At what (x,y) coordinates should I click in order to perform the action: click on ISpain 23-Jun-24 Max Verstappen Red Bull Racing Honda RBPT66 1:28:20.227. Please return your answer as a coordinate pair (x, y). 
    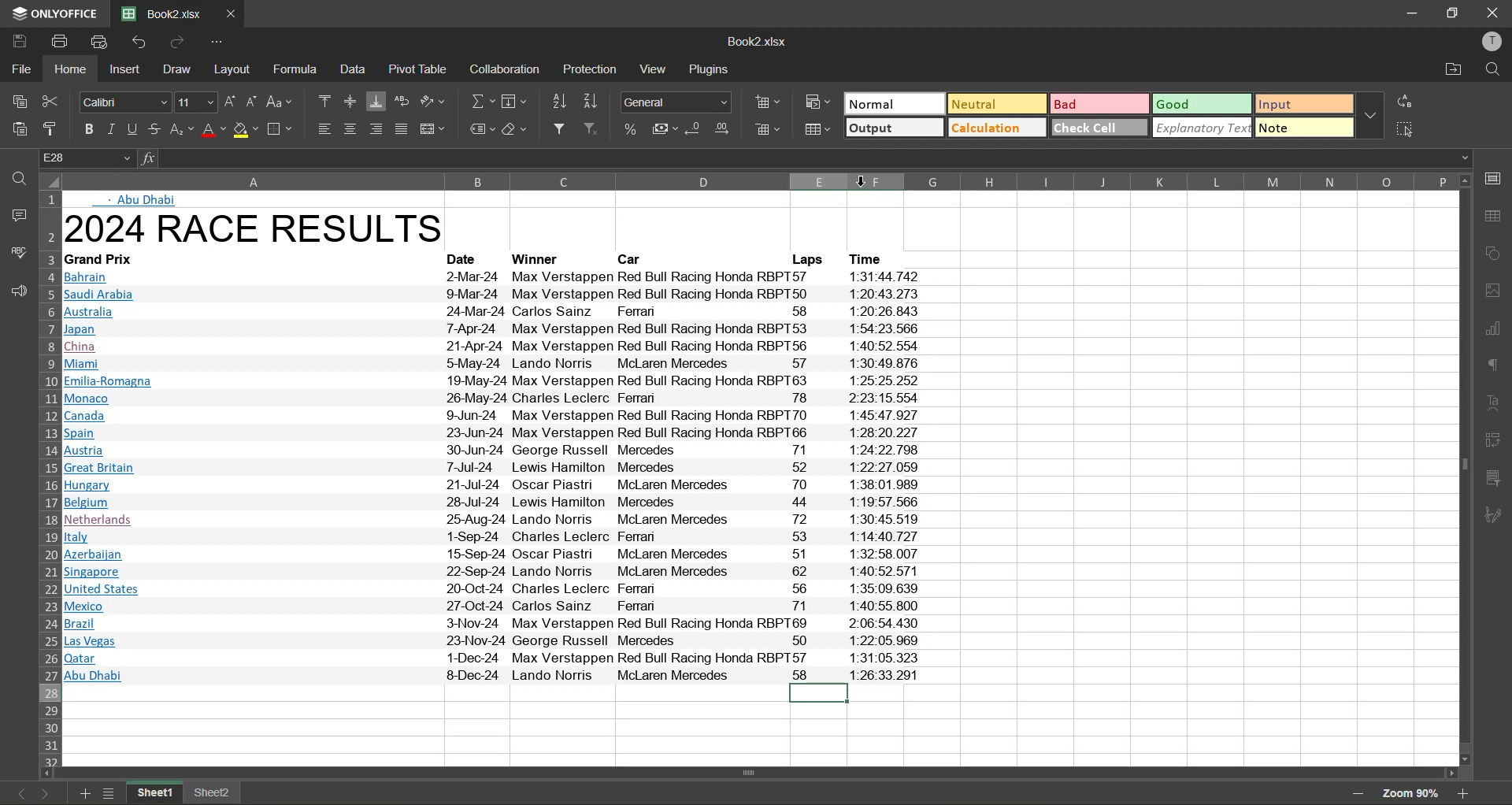
    Looking at the image, I should click on (499, 433).